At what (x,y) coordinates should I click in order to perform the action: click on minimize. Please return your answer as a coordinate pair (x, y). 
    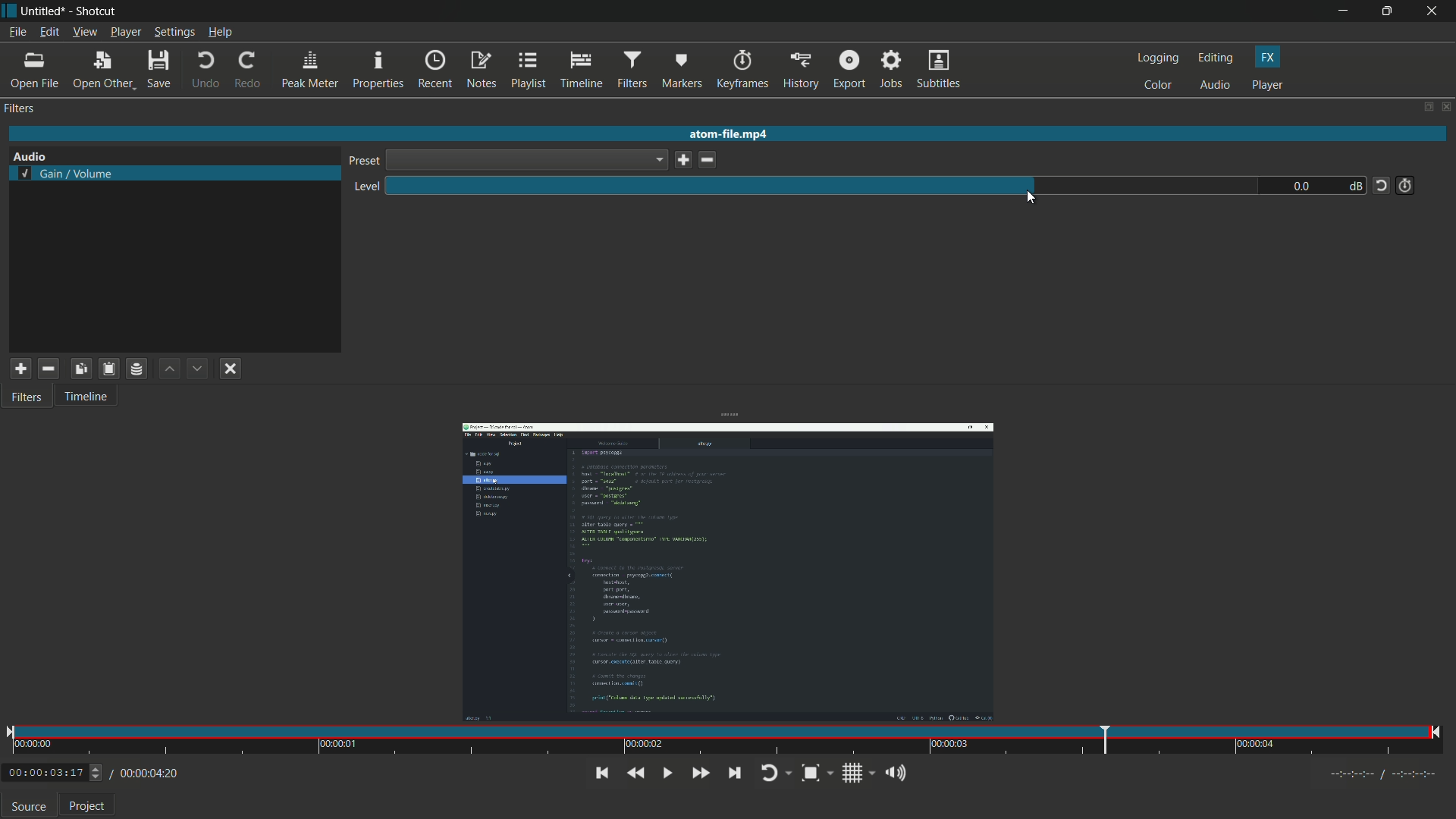
    Looking at the image, I should click on (1341, 11).